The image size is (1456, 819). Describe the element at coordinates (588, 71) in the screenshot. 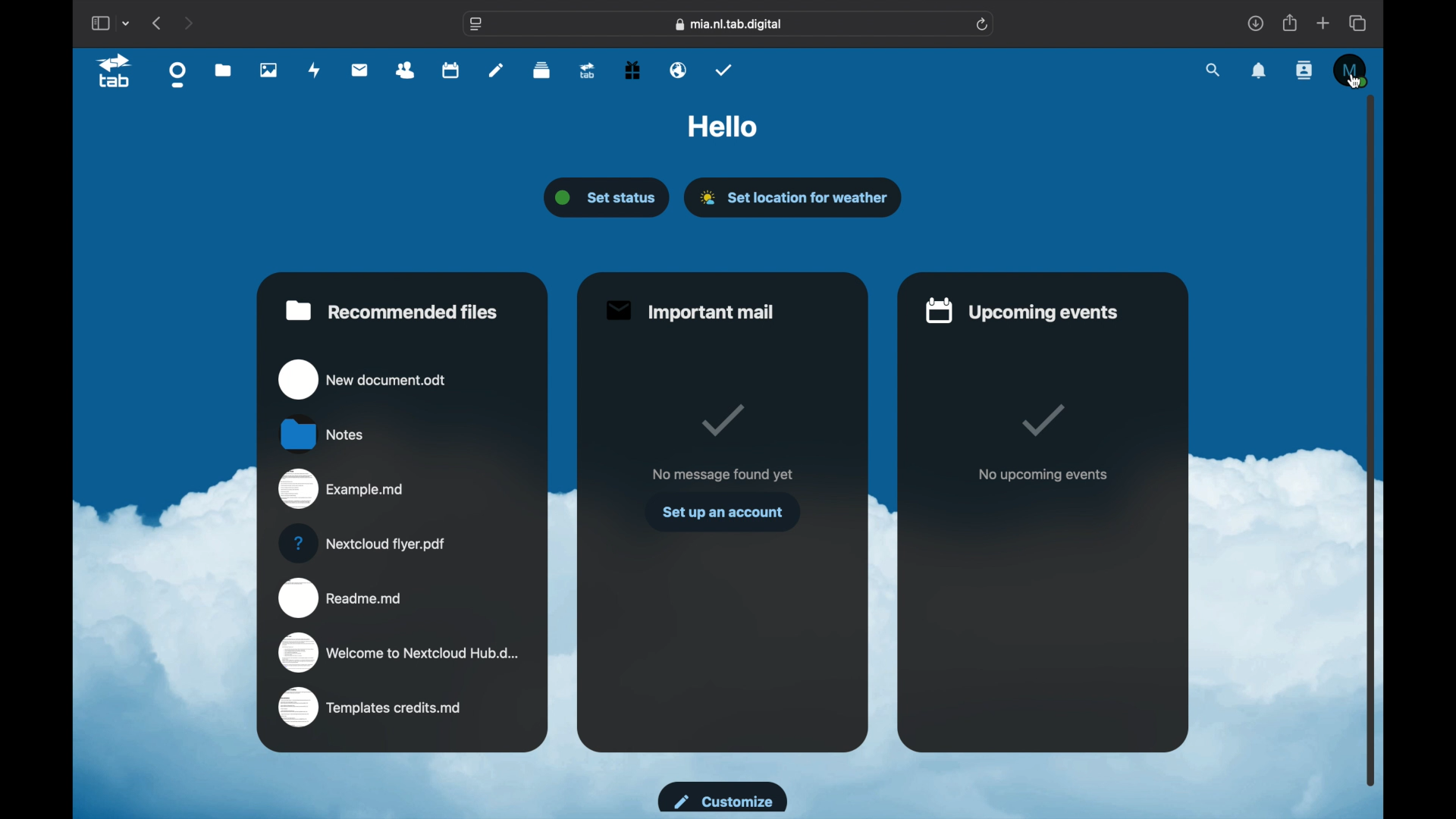

I see `upgrade` at that location.